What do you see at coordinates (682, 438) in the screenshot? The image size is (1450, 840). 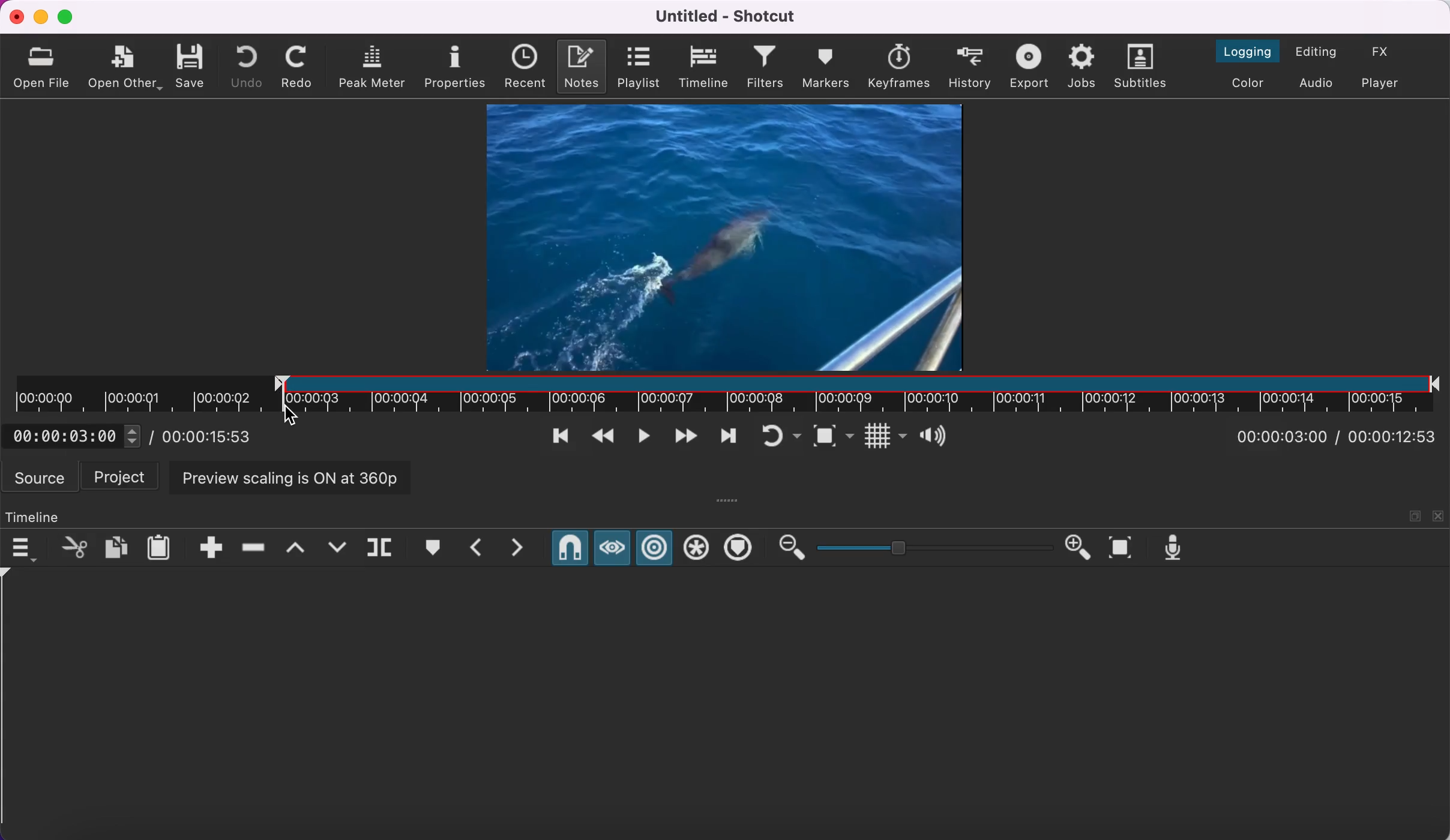 I see `play quickly forwards` at bounding box center [682, 438].